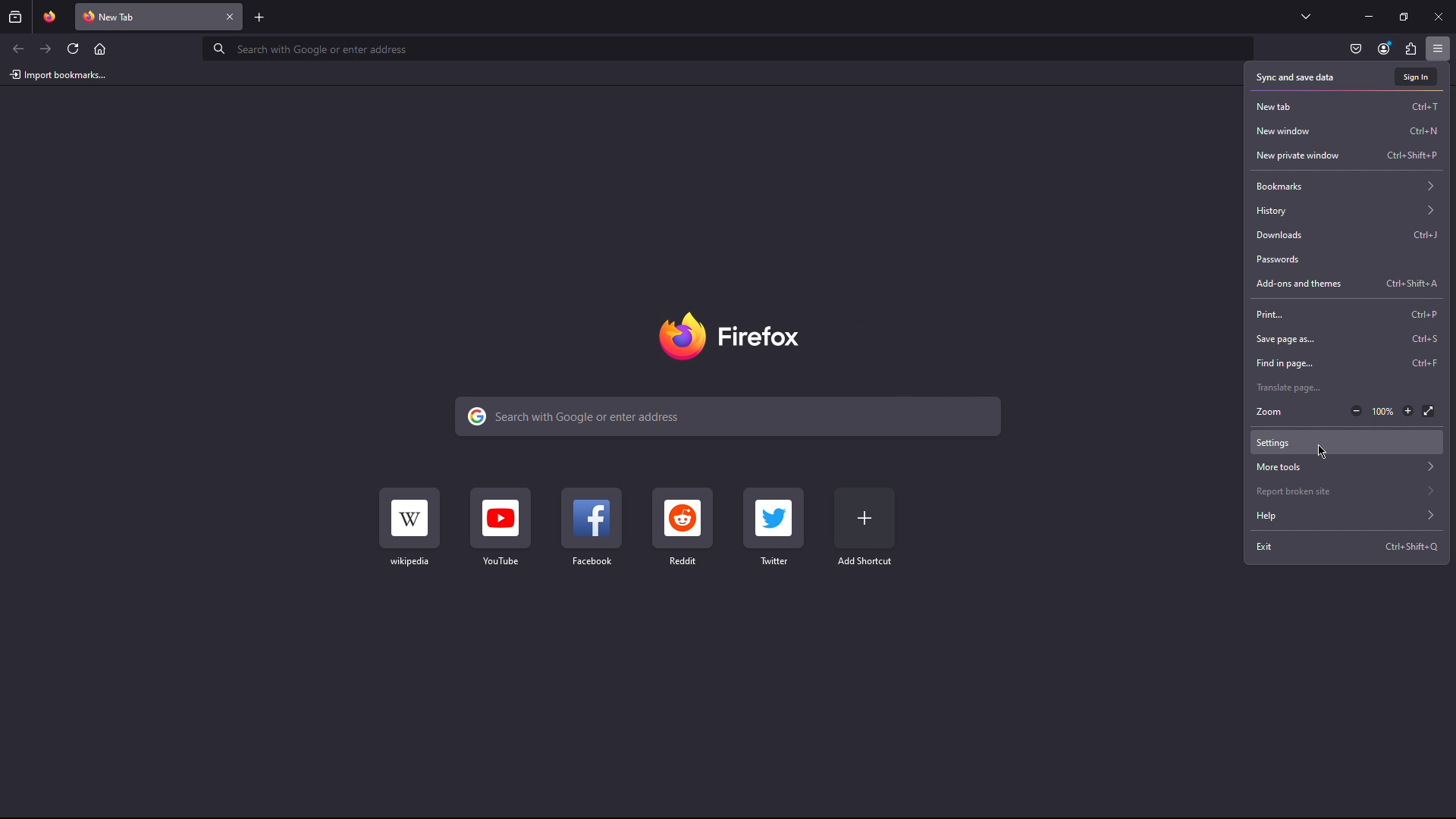  What do you see at coordinates (1345, 388) in the screenshot?
I see `Translate page` at bounding box center [1345, 388].